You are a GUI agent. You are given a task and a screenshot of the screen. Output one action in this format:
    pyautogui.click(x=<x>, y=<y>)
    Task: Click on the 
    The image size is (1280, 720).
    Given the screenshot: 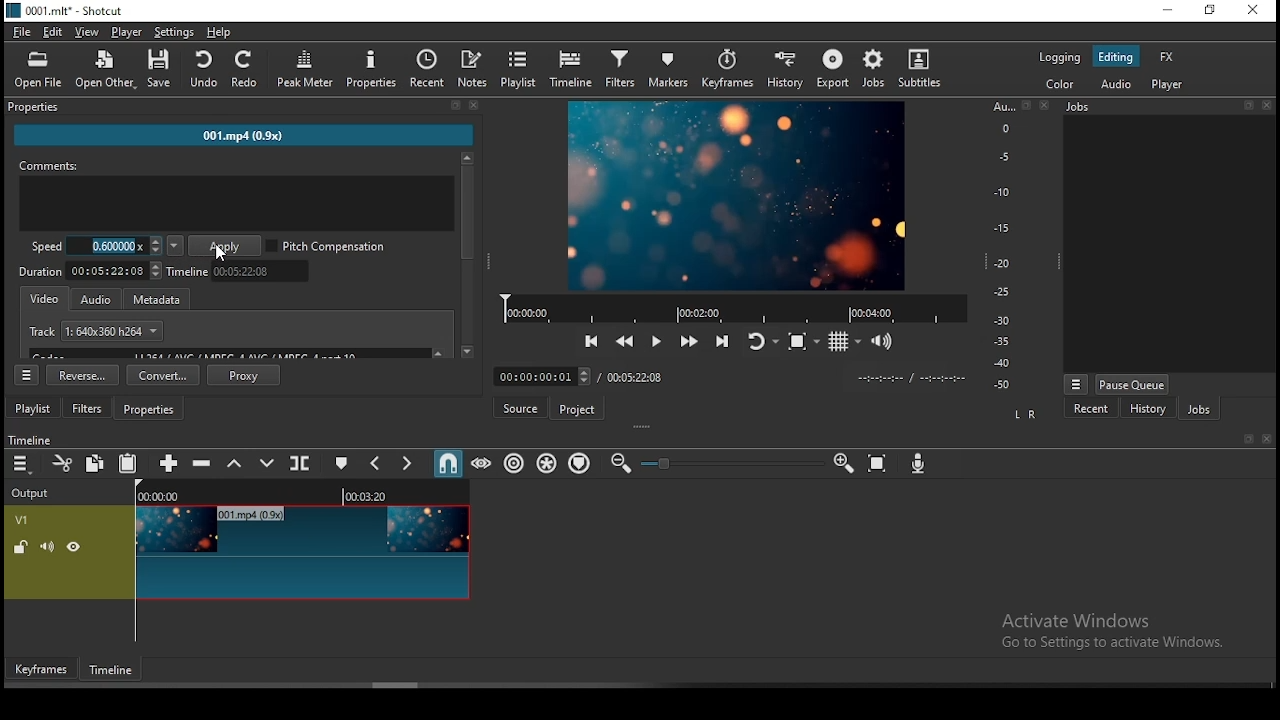 What is the action you would take?
    pyautogui.click(x=655, y=339)
    